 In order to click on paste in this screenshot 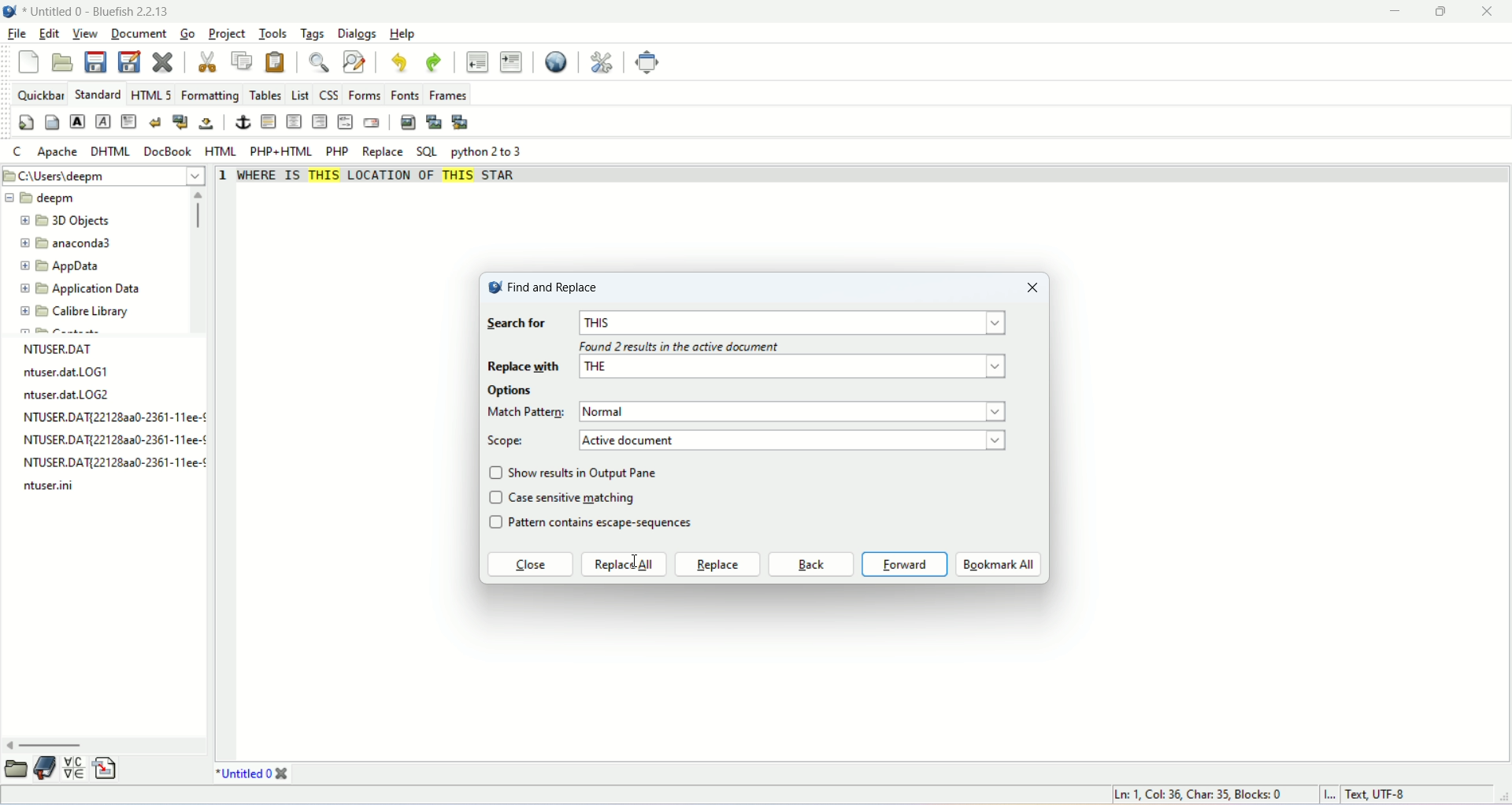, I will do `click(276, 62)`.